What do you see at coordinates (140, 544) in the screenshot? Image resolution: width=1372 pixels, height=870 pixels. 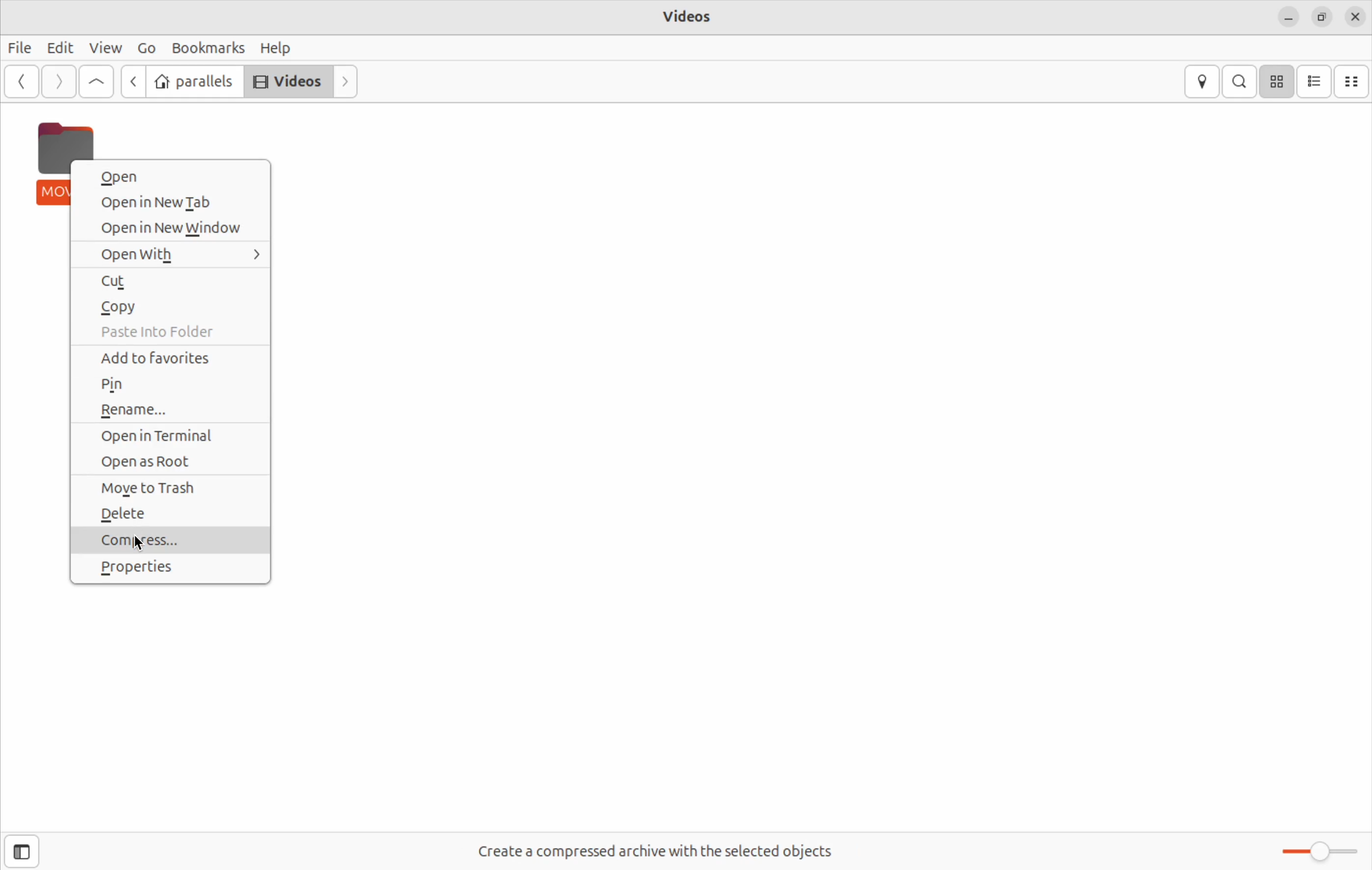 I see `Cursor` at bounding box center [140, 544].